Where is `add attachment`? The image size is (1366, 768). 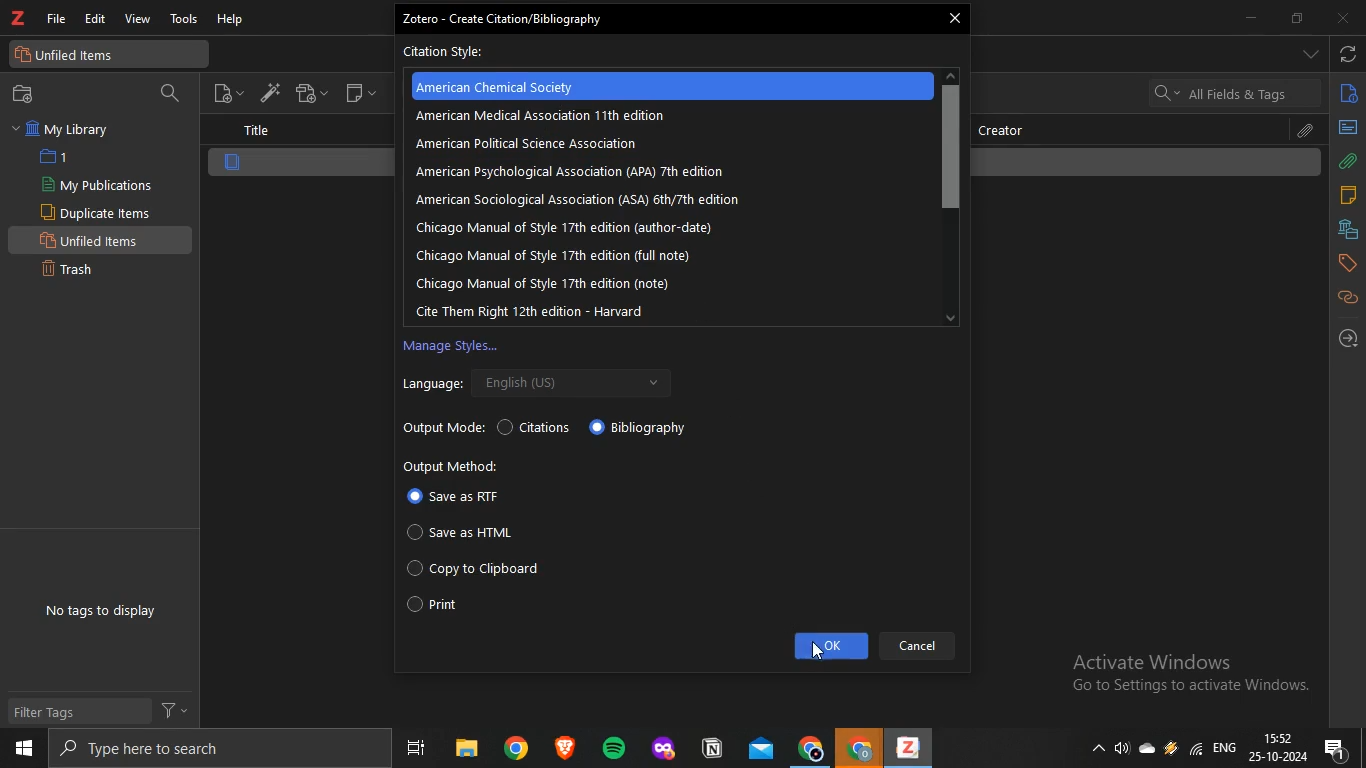
add attachment is located at coordinates (313, 93).